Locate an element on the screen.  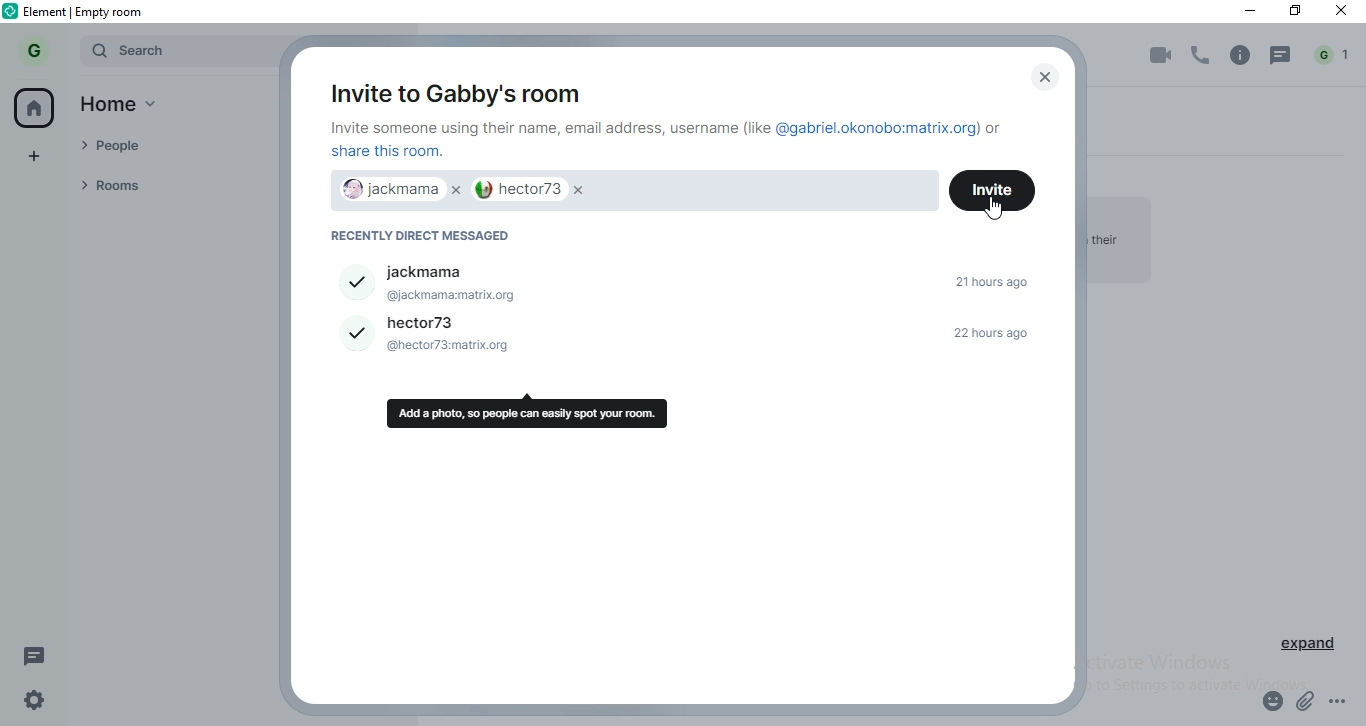
close is located at coordinates (1344, 13).